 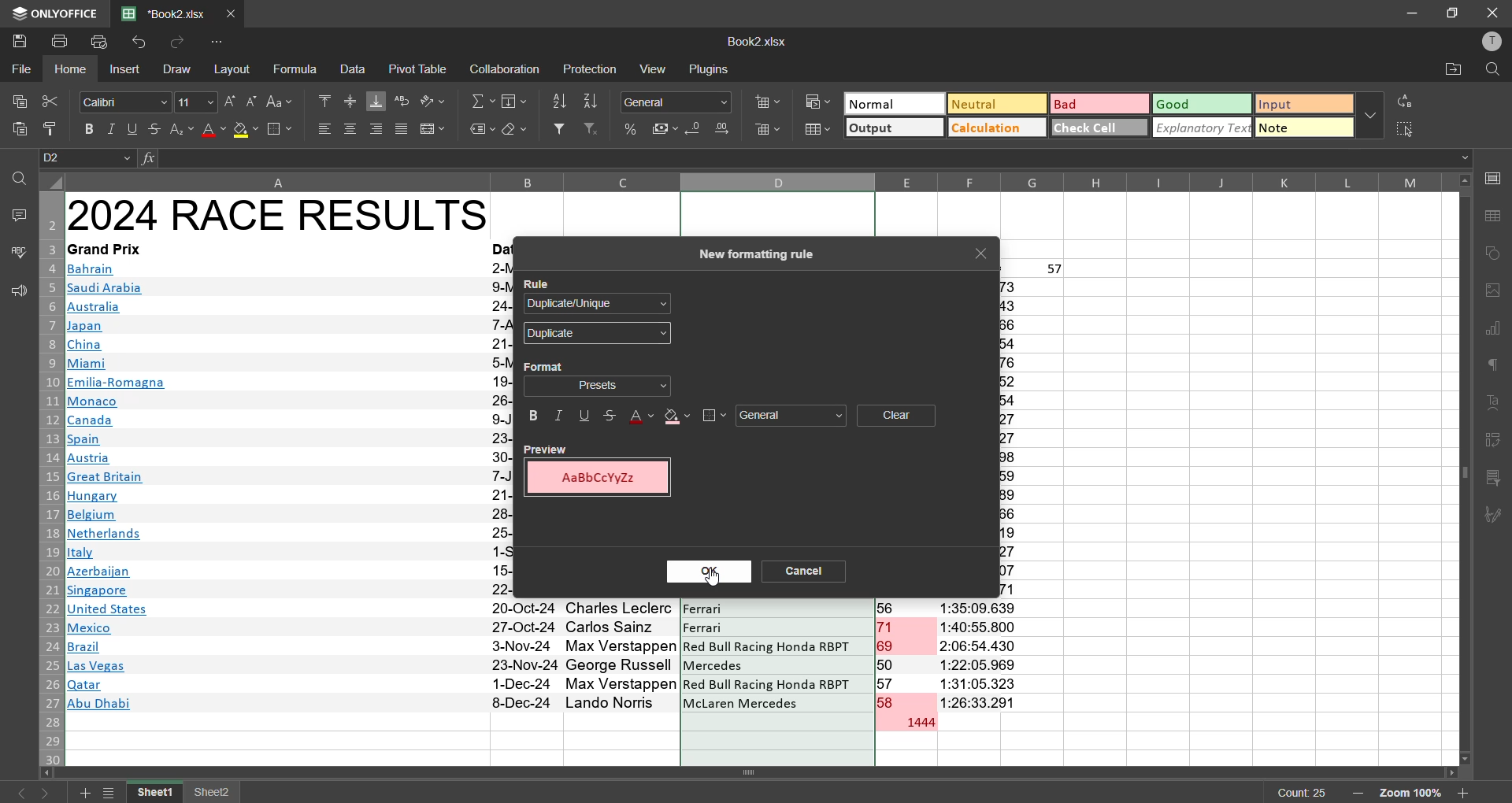 I want to click on Country, so click(x=117, y=489).